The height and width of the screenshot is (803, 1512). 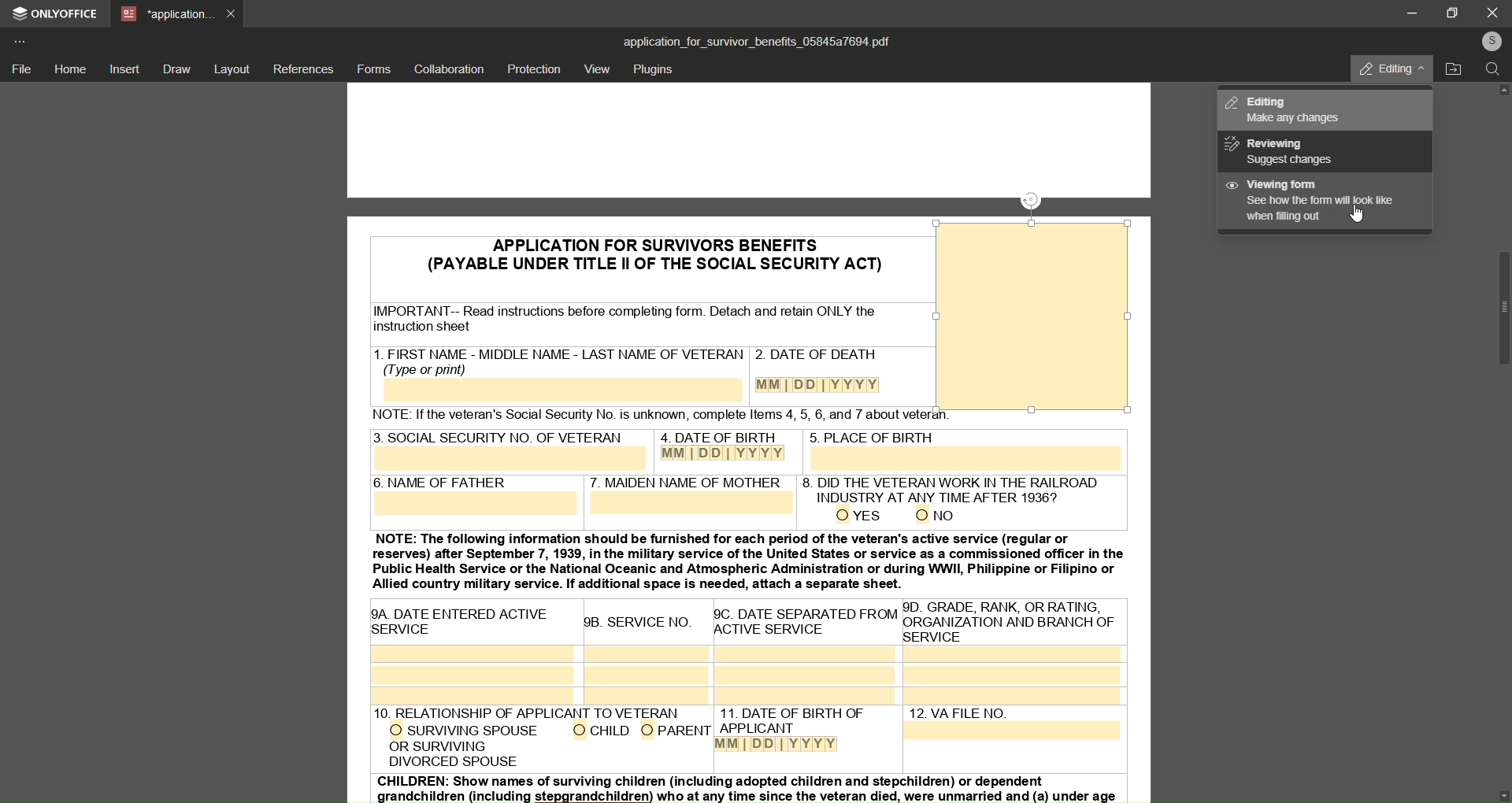 What do you see at coordinates (126, 70) in the screenshot?
I see `insert` at bounding box center [126, 70].